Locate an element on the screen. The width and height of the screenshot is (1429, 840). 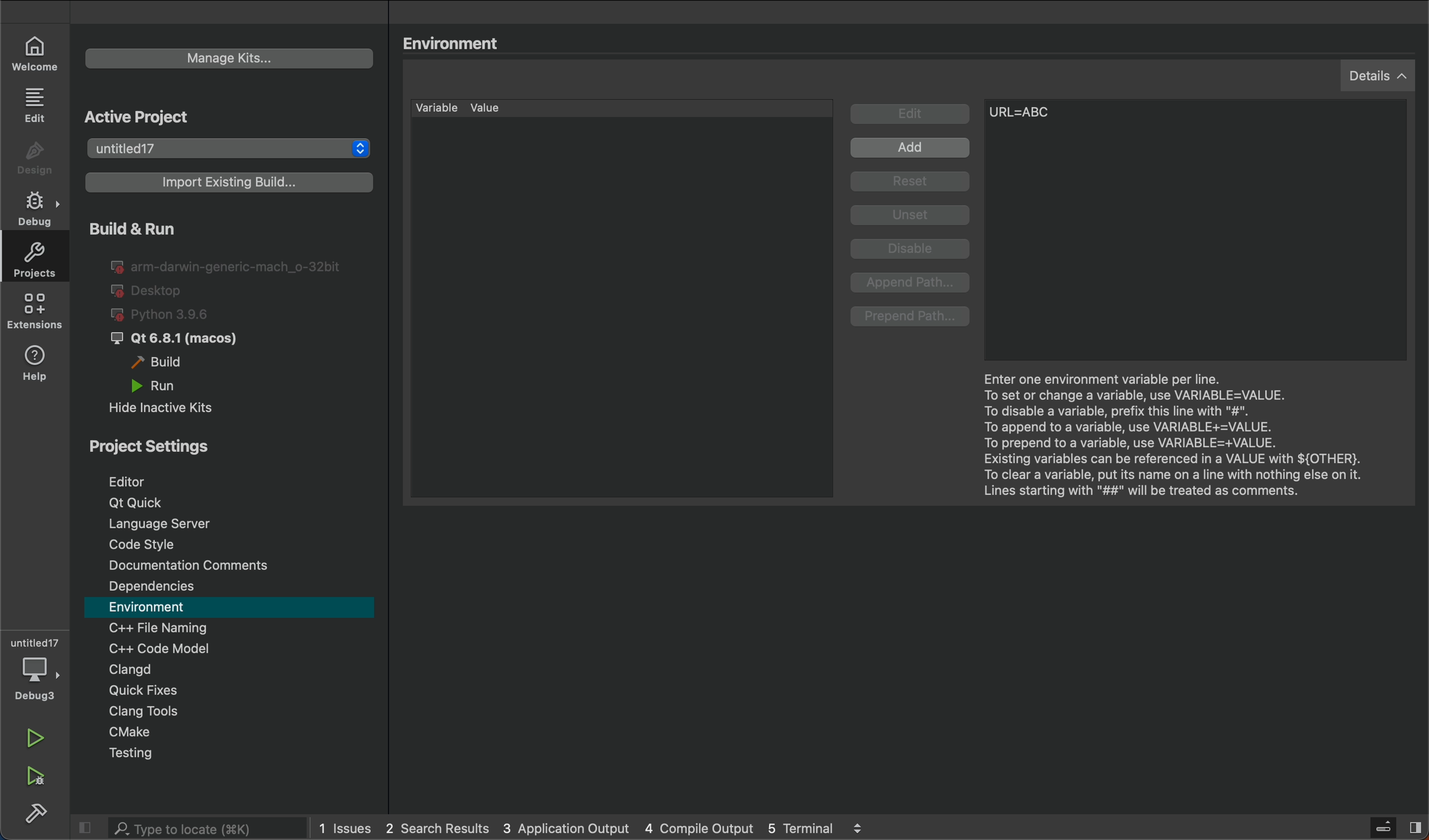
Active Project is located at coordinates (200, 116).